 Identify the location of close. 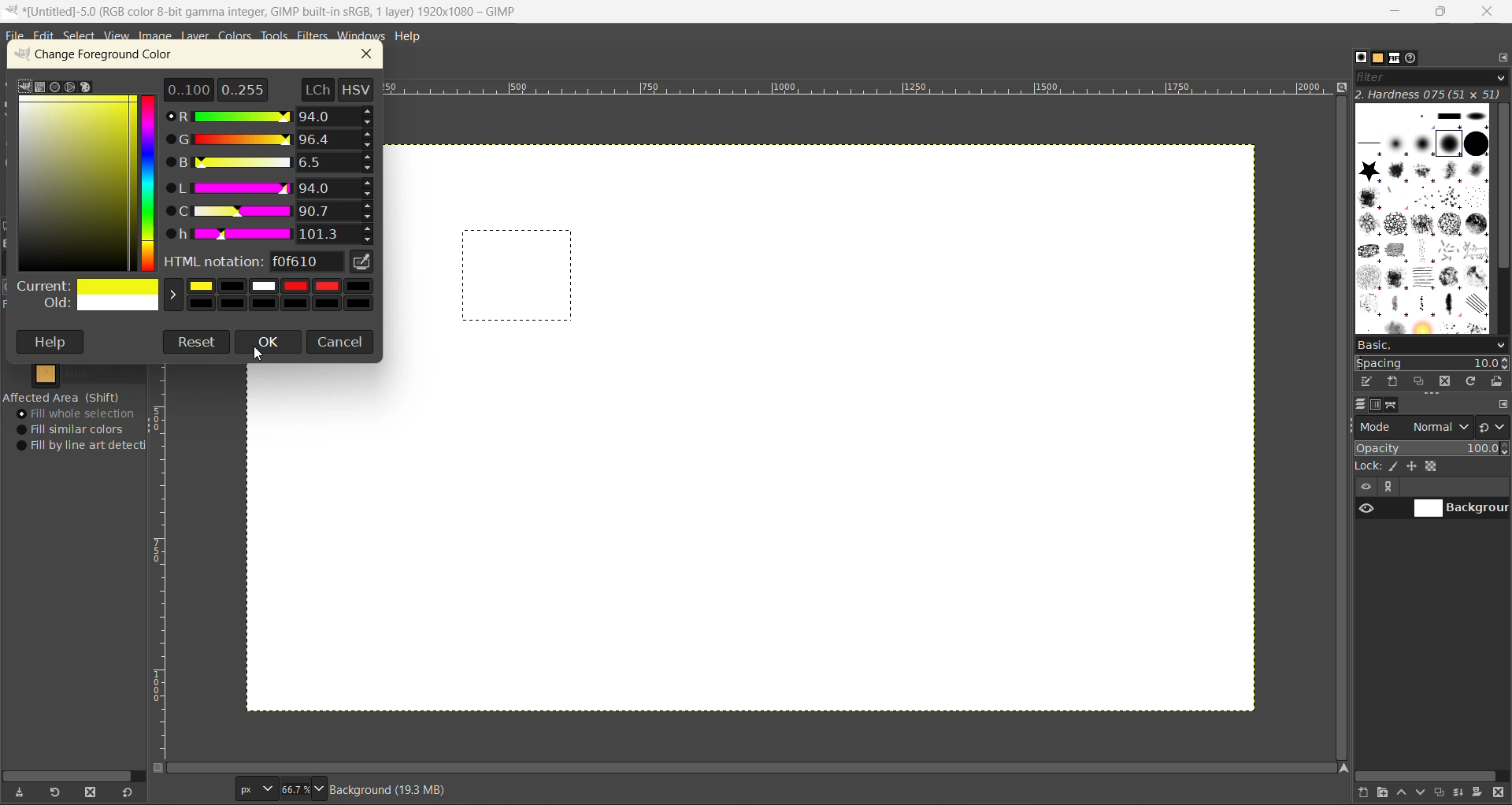
(372, 54).